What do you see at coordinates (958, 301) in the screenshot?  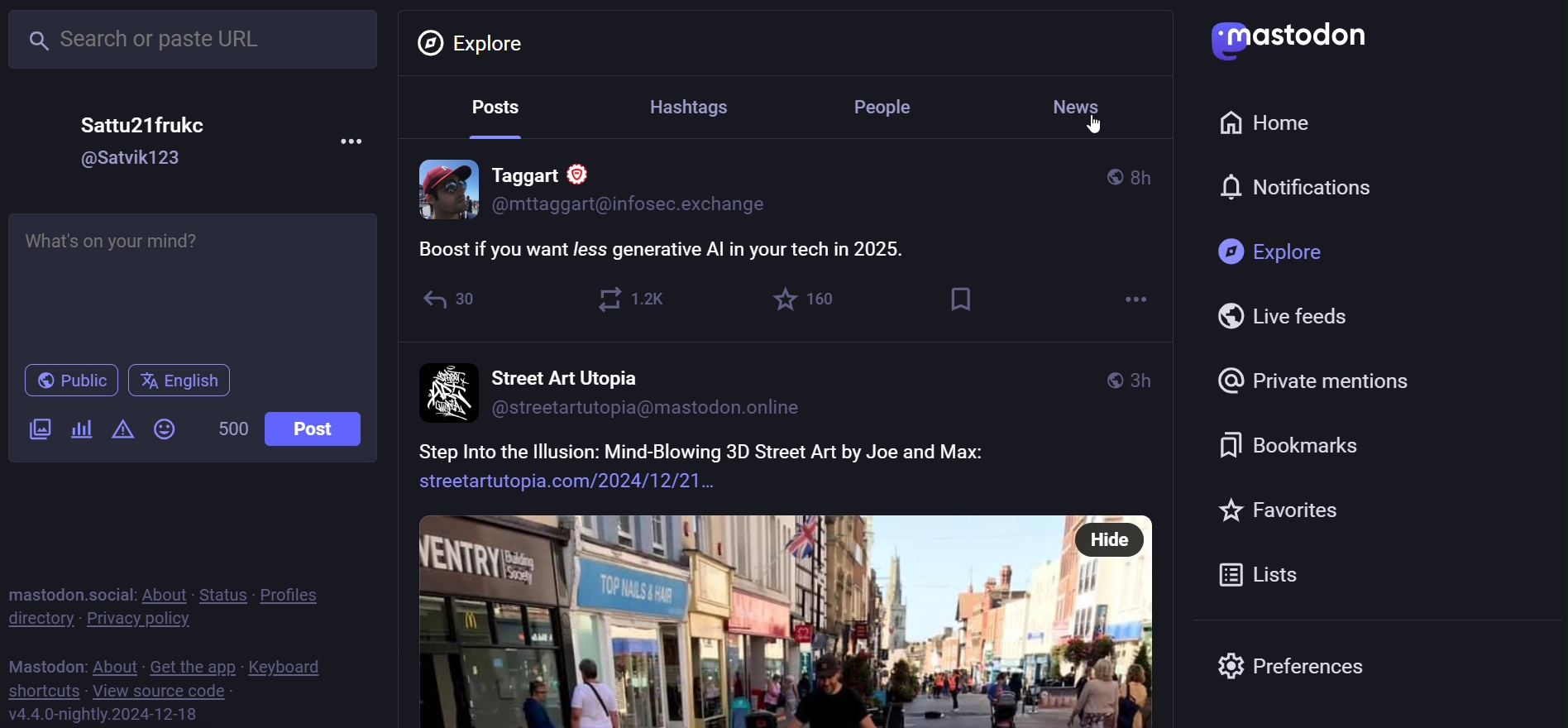 I see `bookmark` at bounding box center [958, 301].